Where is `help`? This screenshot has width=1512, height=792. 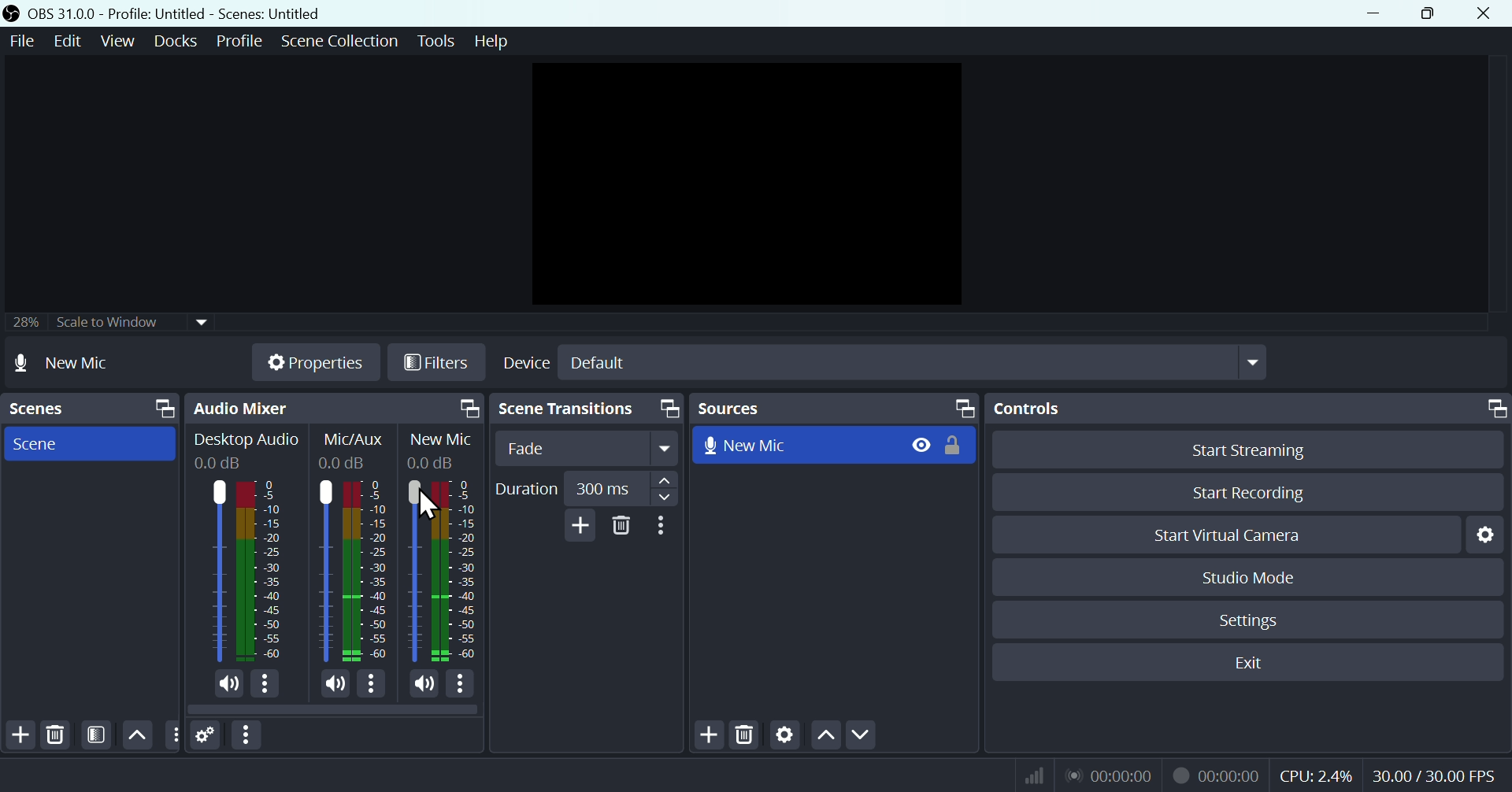 help is located at coordinates (491, 41).